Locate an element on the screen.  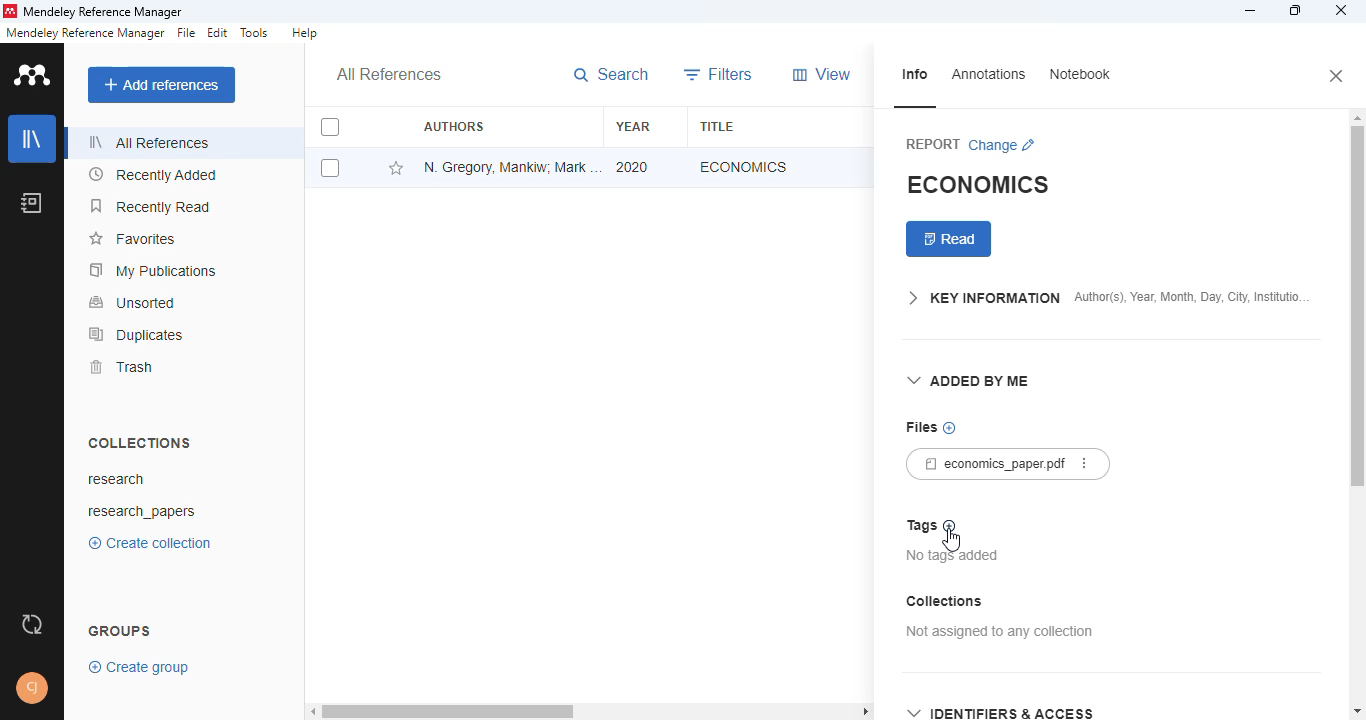
economics is located at coordinates (744, 166).